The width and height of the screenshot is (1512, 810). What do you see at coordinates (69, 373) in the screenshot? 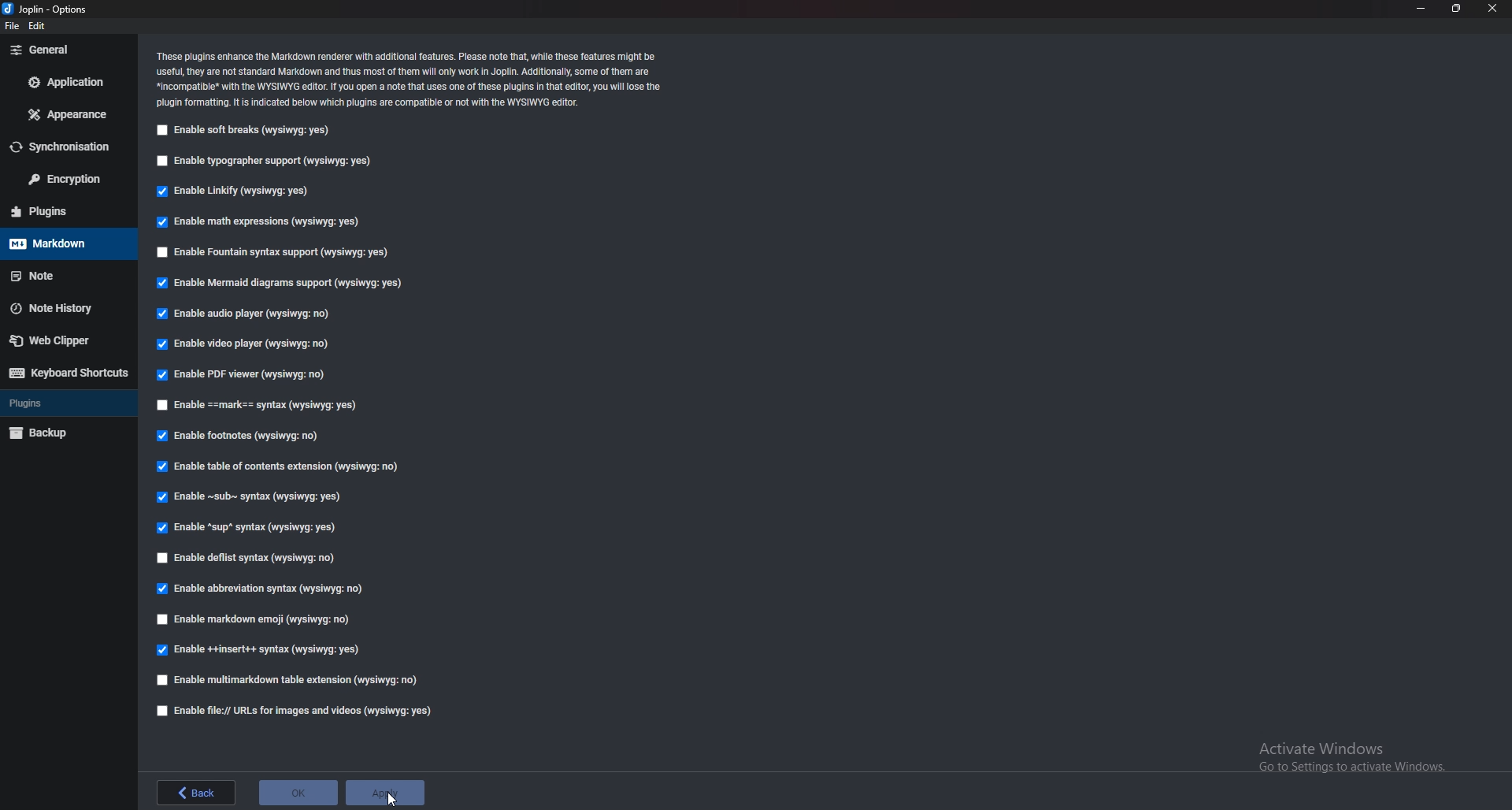
I see `Keyboard shortcuts` at bounding box center [69, 373].